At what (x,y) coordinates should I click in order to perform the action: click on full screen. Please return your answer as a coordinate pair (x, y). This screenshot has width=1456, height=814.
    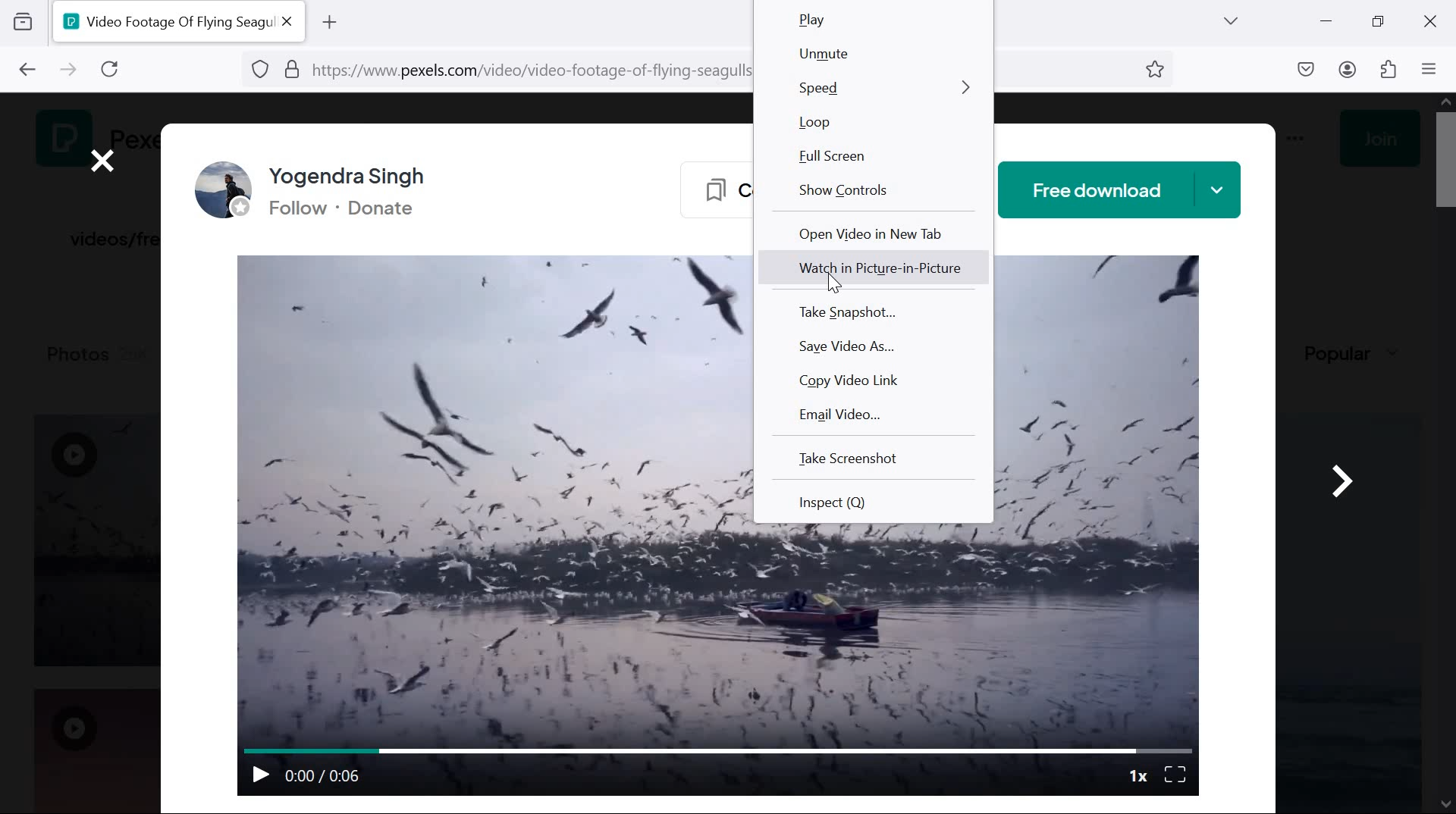
    Looking at the image, I should click on (882, 156).